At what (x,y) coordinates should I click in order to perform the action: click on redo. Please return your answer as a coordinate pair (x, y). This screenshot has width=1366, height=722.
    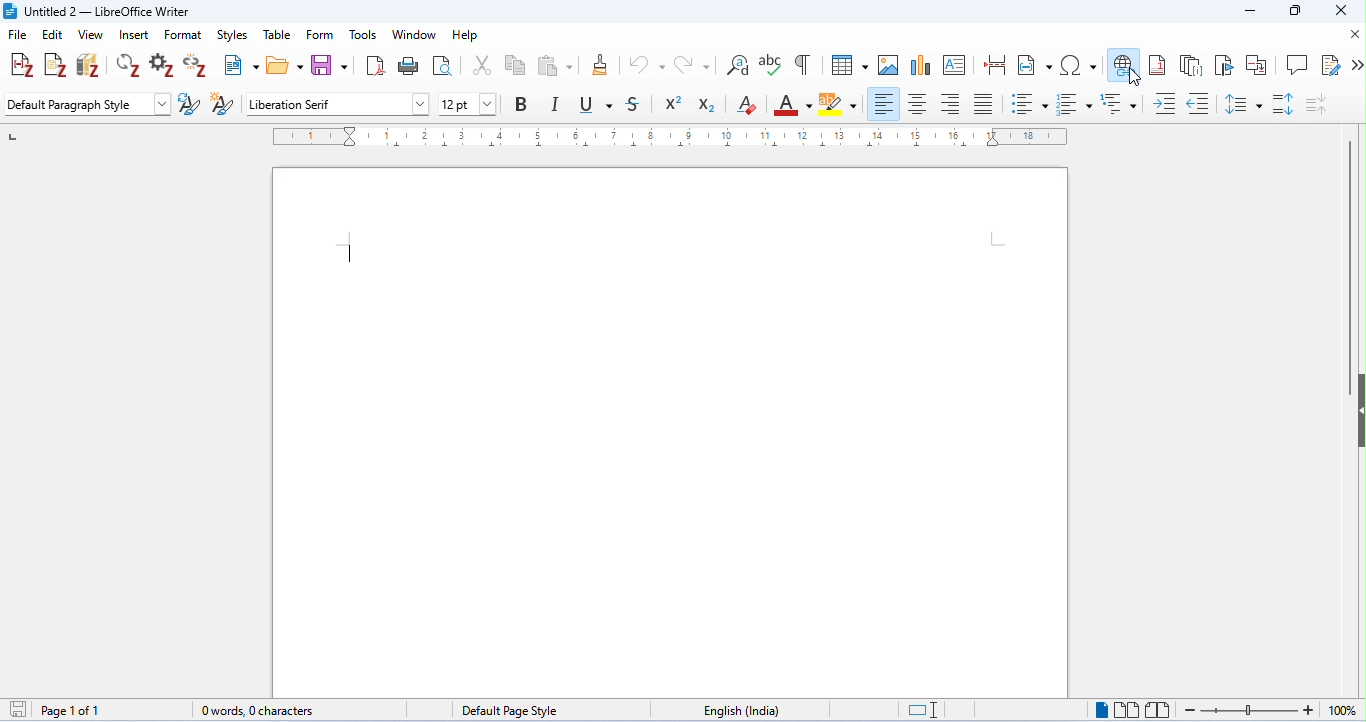
    Looking at the image, I should click on (692, 65).